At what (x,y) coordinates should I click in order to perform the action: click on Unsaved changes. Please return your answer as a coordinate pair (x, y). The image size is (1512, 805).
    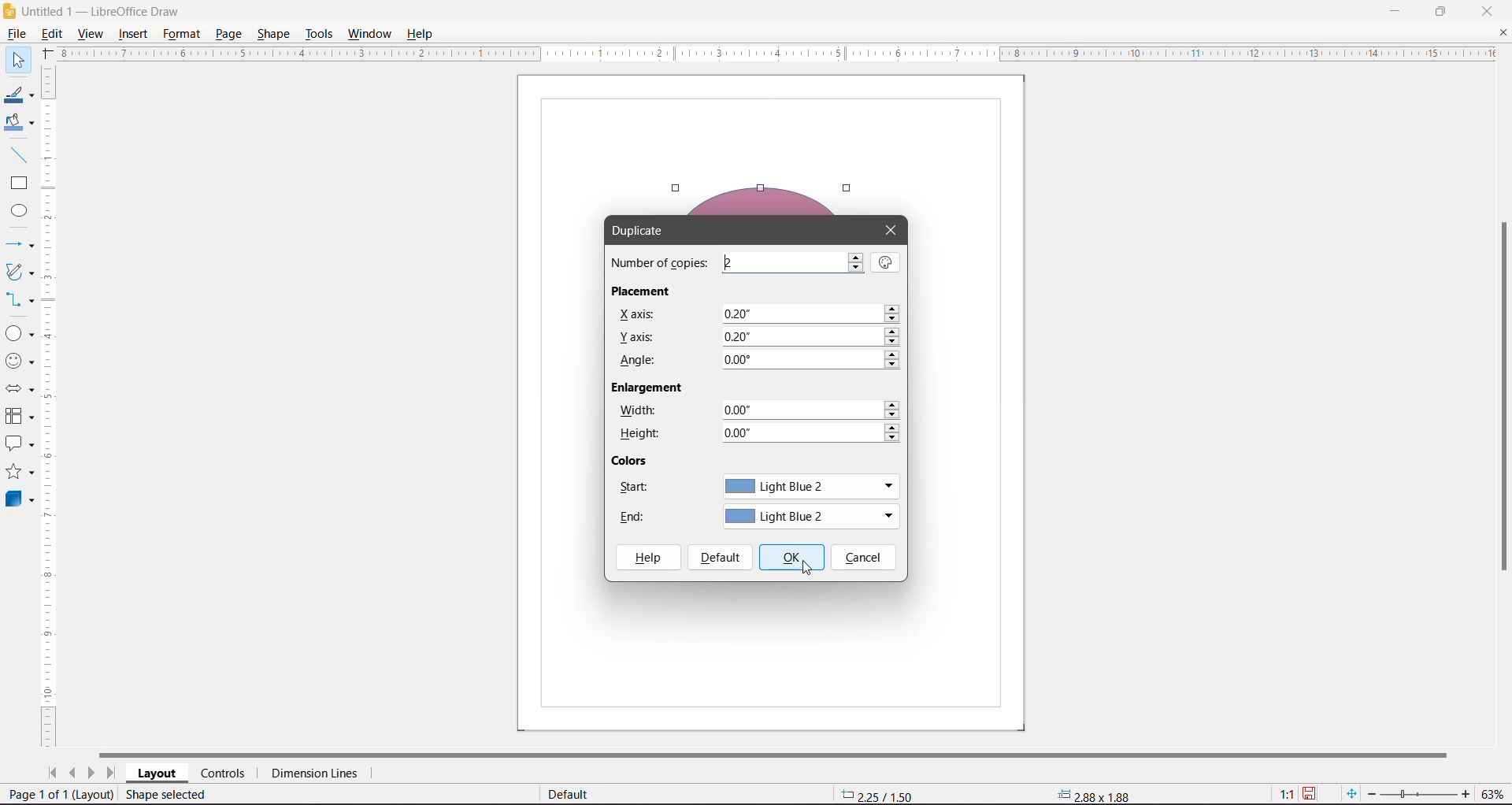
    Looking at the image, I should click on (1310, 795).